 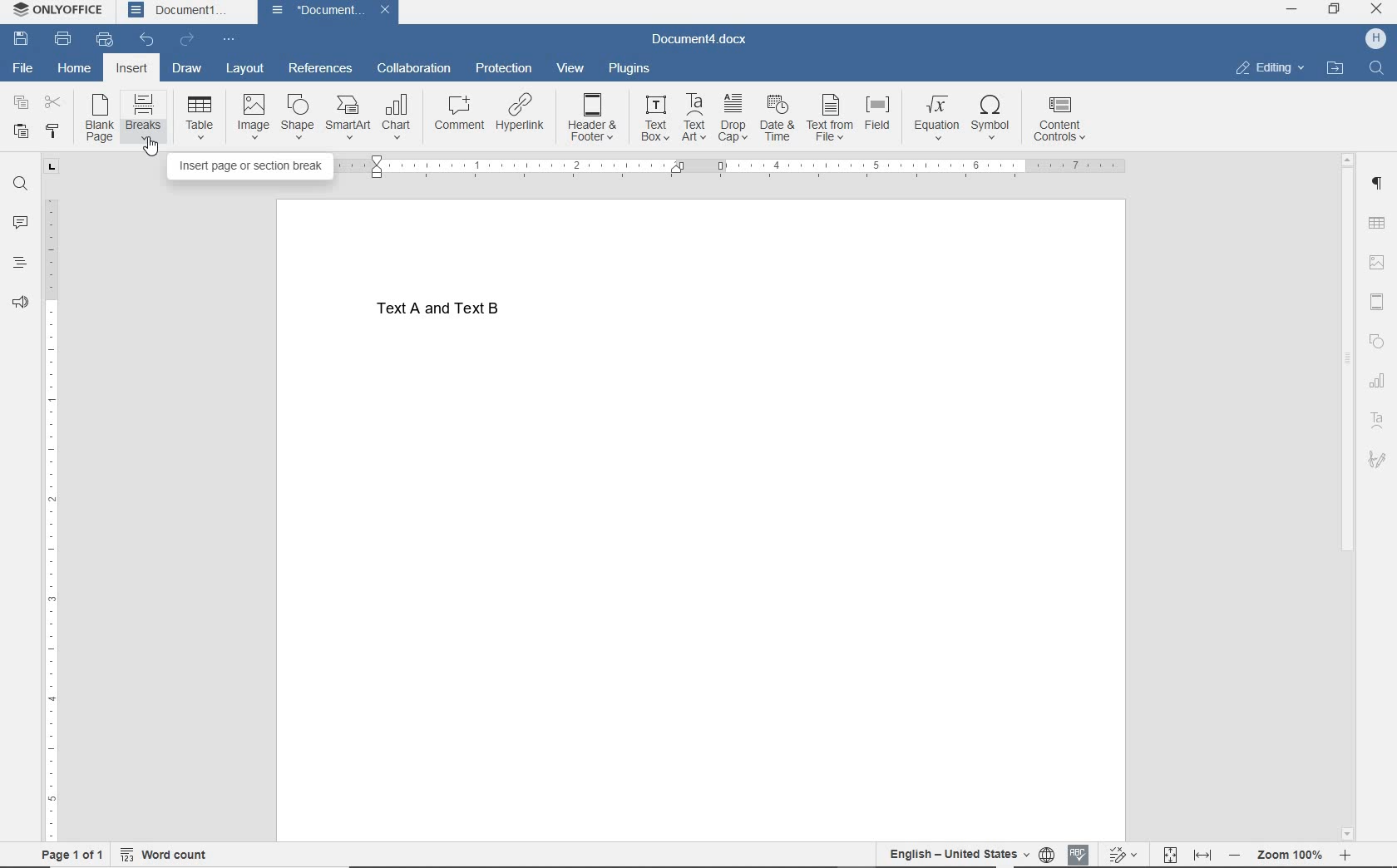 What do you see at coordinates (28, 69) in the screenshot?
I see `FILE` at bounding box center [28, 69].